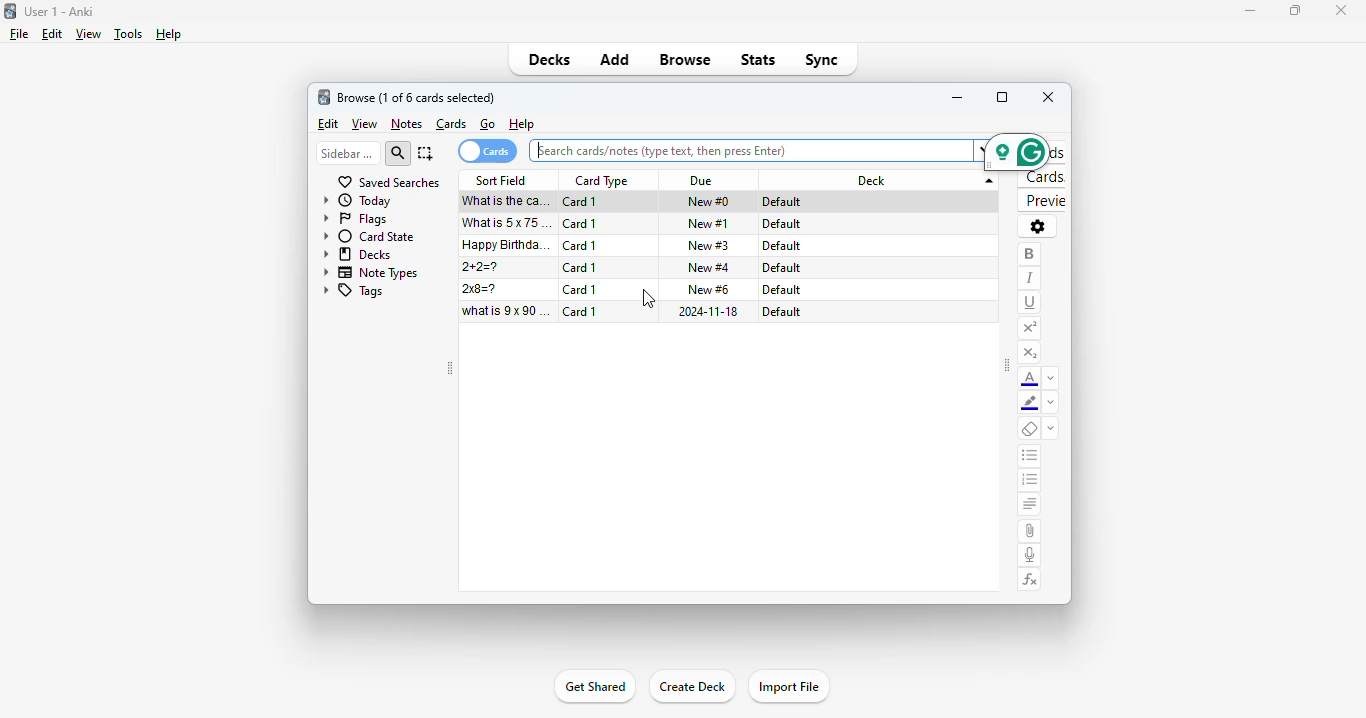 The width and height of the screenshot is (1366, 718). I want to click on cards, so click(487, 151).